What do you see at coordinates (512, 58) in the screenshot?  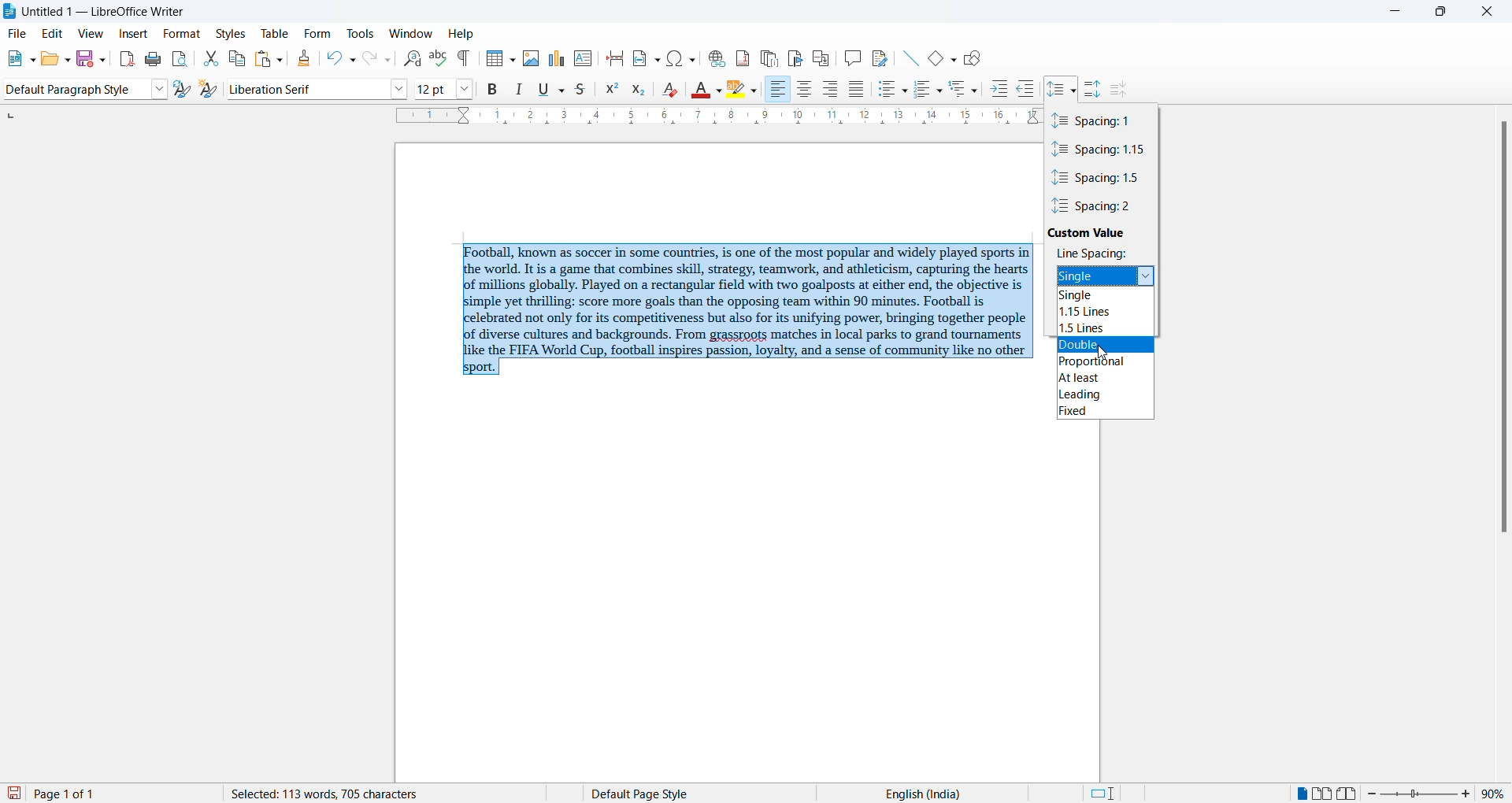 I see `insert table grid` at bounding box center [512, 58].